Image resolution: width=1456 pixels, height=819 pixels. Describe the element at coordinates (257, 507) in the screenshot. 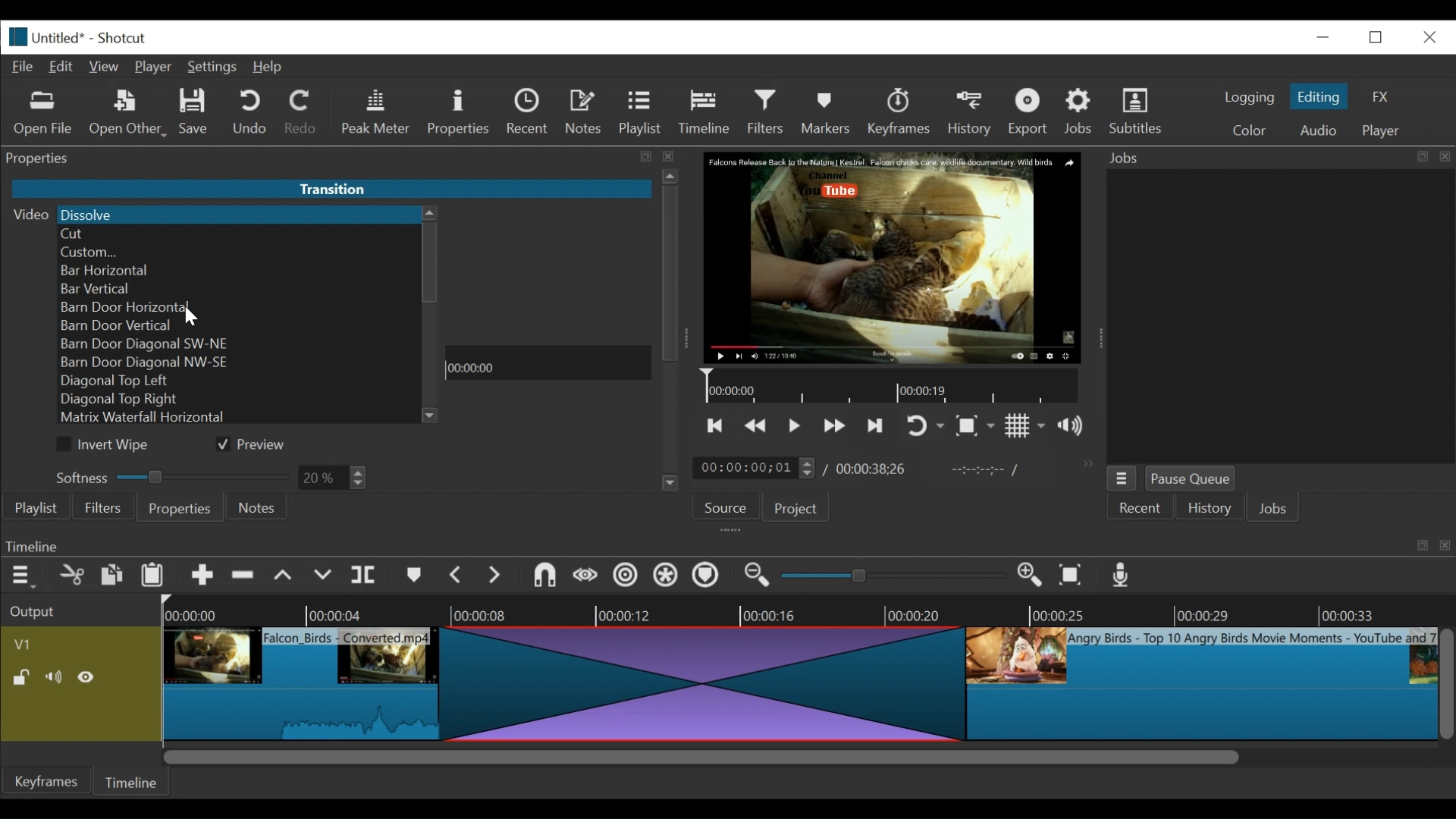

I see `Notes` at that location.